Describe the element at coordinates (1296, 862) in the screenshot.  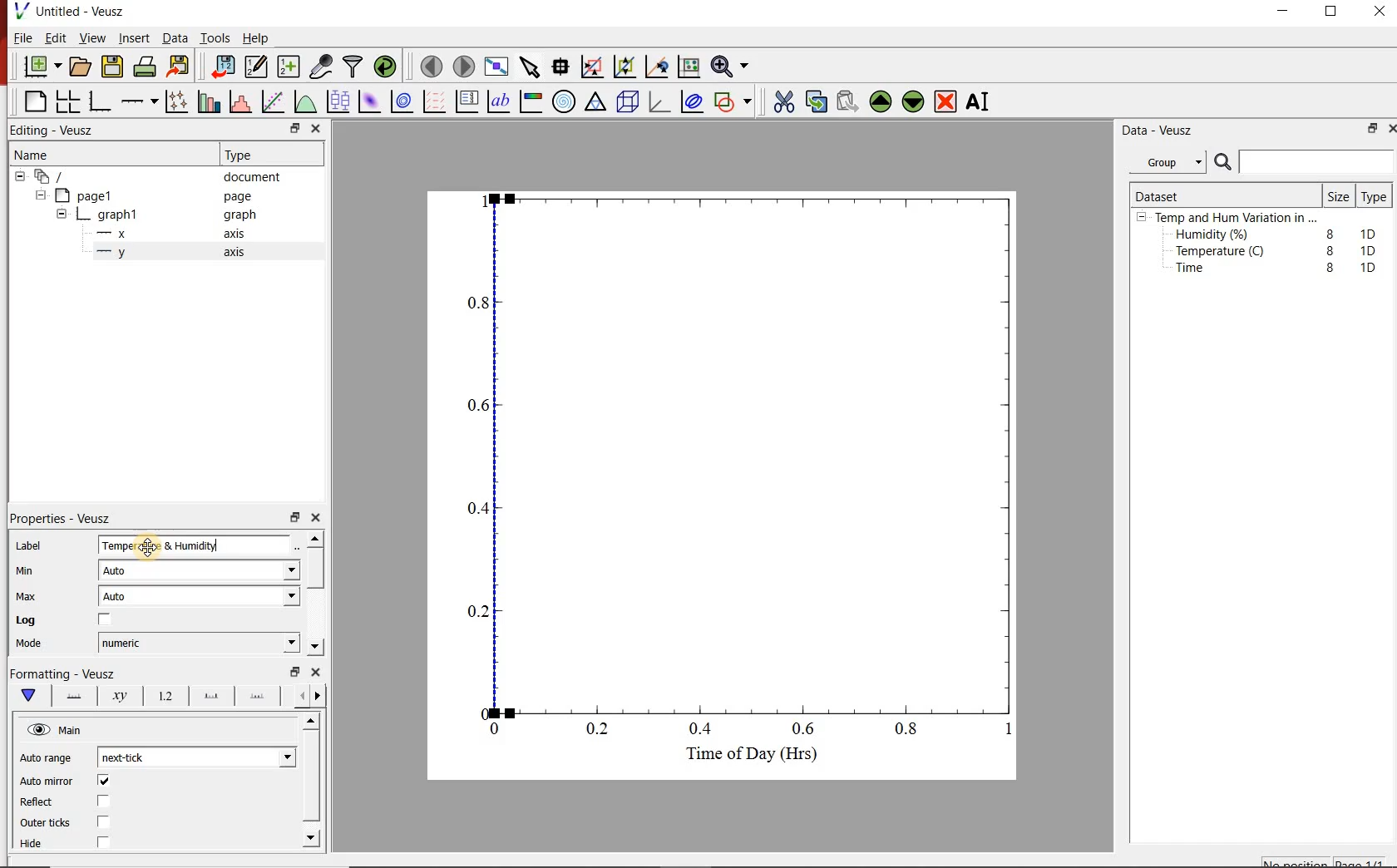
I see `No position` at that location.